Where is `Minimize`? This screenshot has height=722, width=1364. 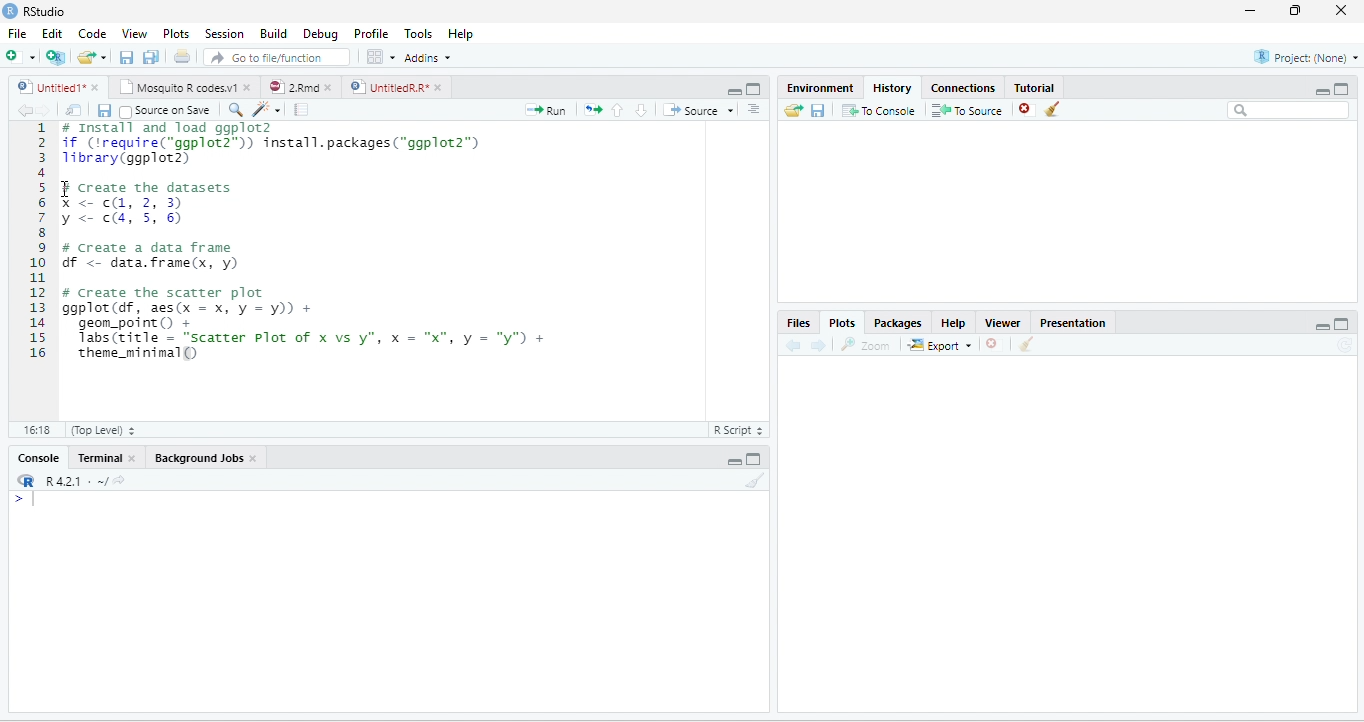 Minimize is located at coordinates (1322, 91).